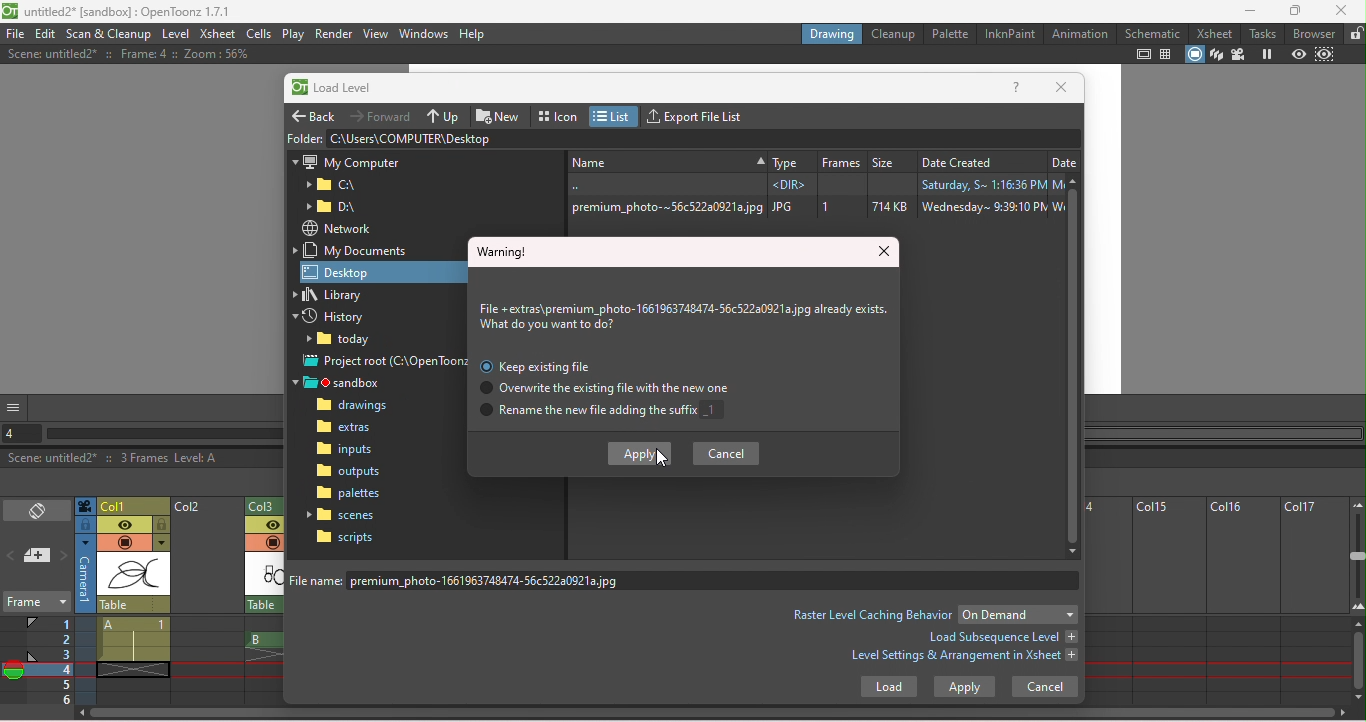 The width and height of the screenshot is (1366, 722). Describe the element at coordinates (540, 366) in the screenshot. I see `Keep existing file` at that location.